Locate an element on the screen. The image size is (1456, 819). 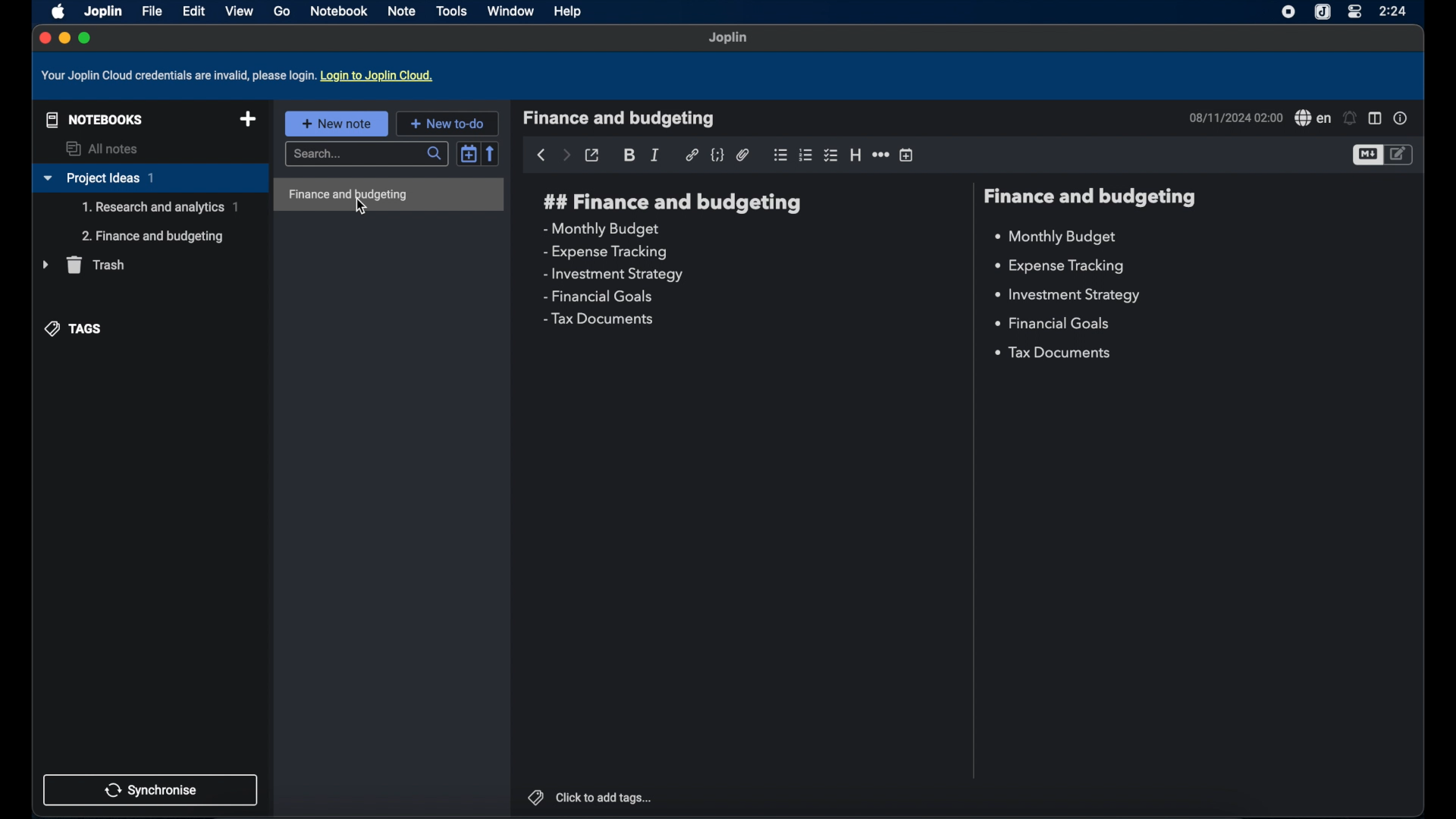
monthly budget is located at coordinates (600, 229).